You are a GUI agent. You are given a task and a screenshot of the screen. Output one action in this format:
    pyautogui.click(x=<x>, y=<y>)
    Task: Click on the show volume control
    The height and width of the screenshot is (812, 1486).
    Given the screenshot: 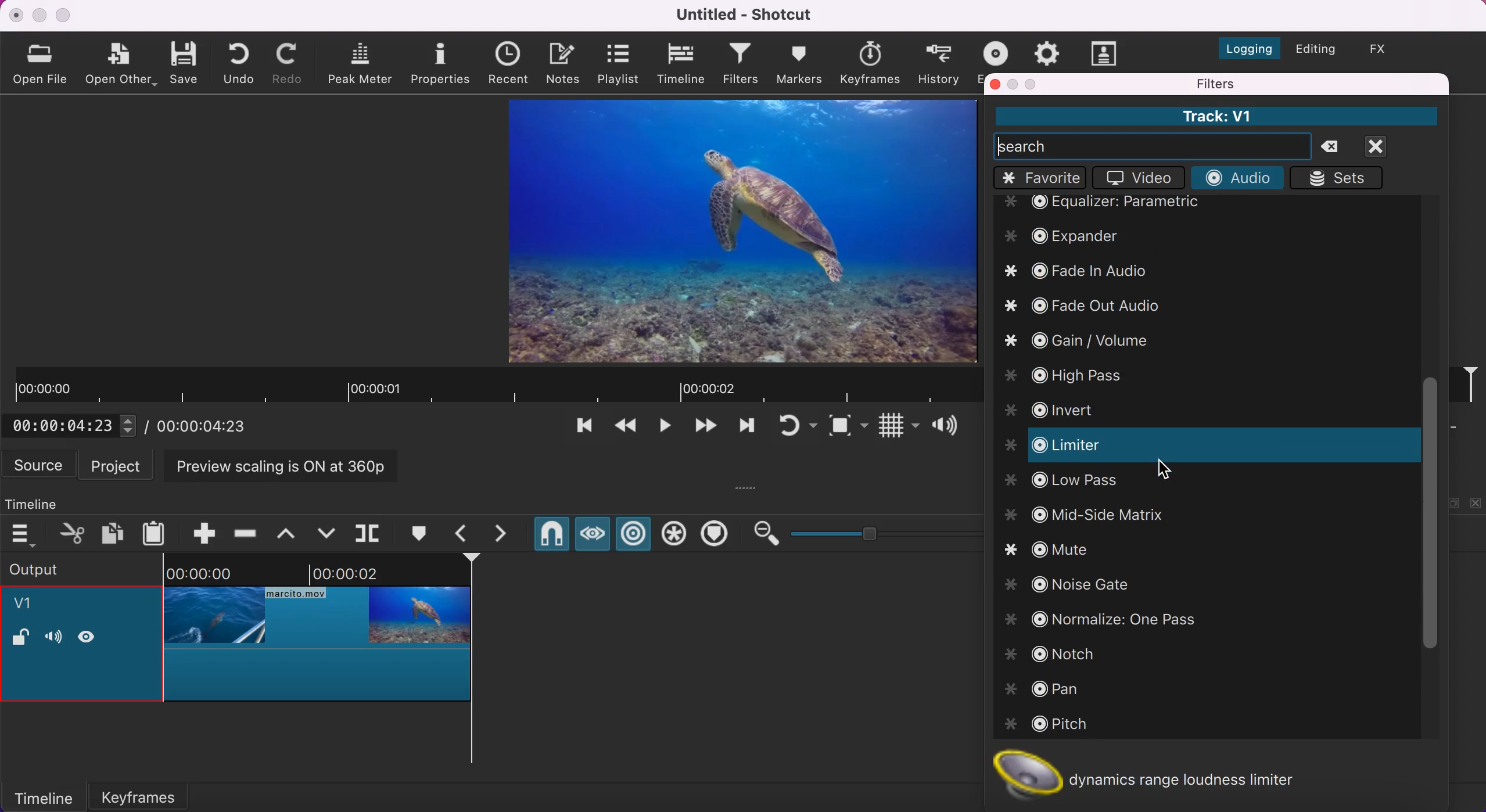 What is the action you would take?
    pyautogui.click(x=949, y=427)
    